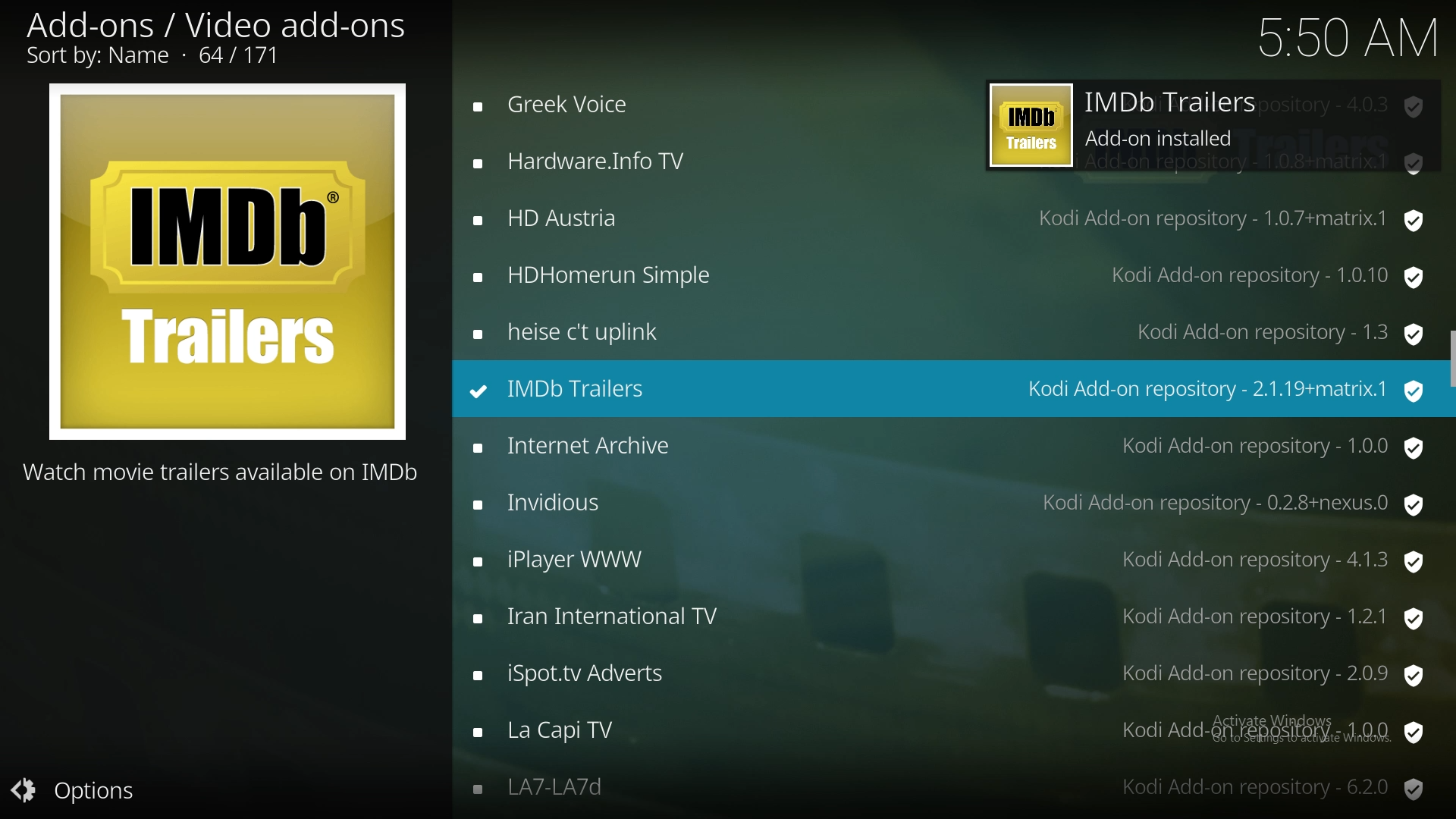  What do you see at coordinates (949, 104) in the screenshot?
I see `add on` at bounding box center [949, 104].